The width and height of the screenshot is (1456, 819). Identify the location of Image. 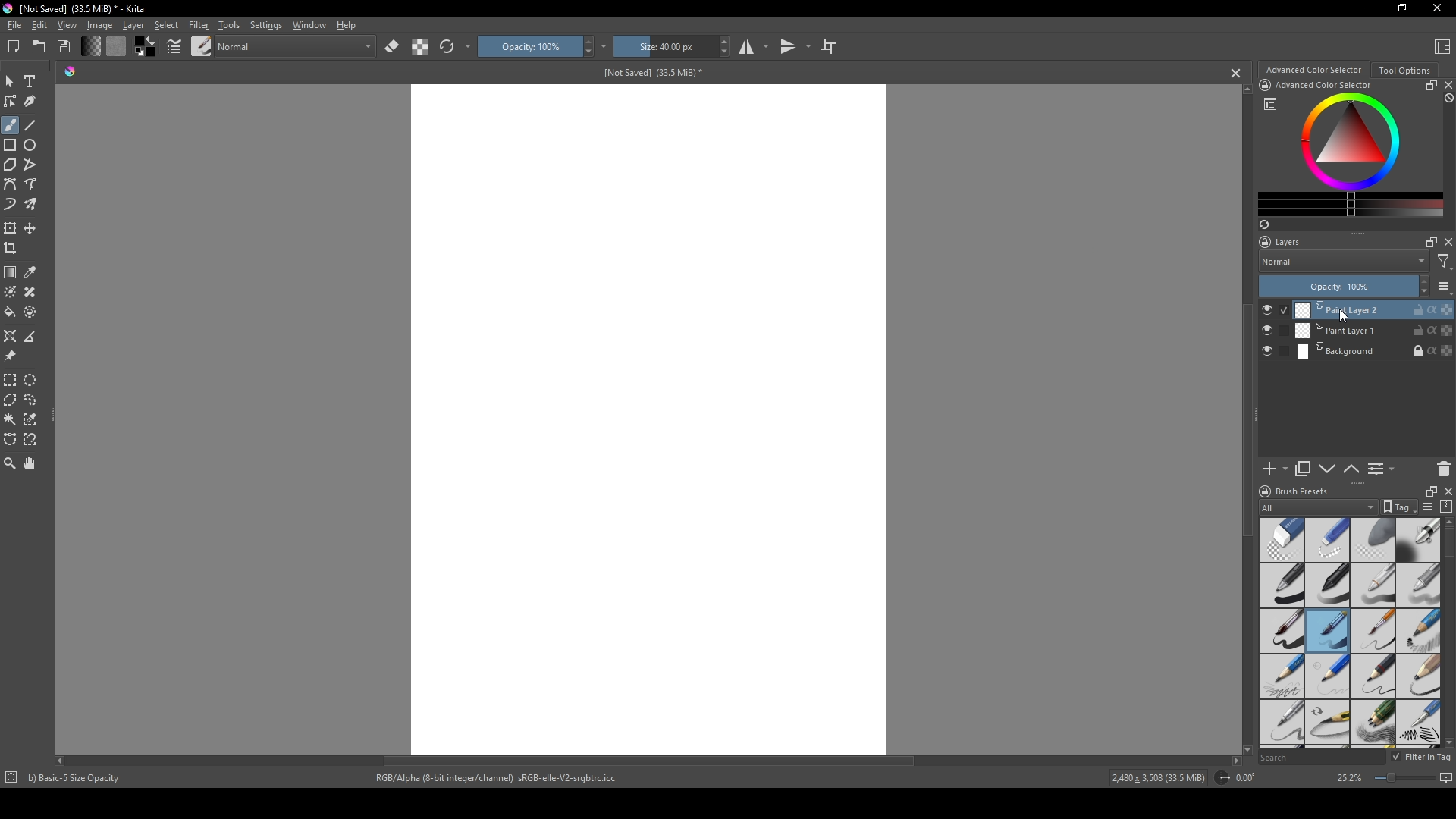
(99, 25).